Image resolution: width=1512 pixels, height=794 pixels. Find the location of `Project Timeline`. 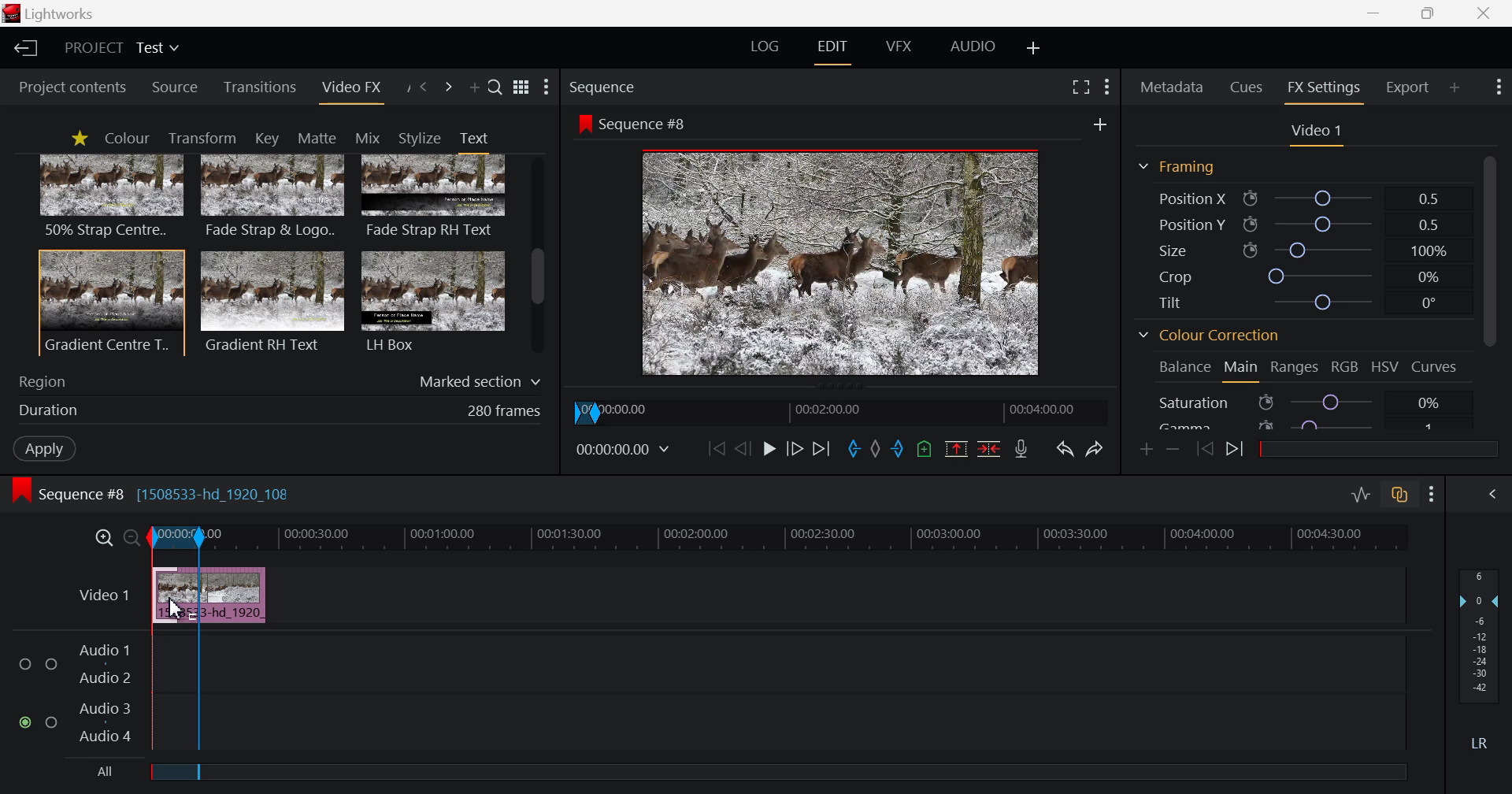

Project Timeline is located at coordinates (803, 539).